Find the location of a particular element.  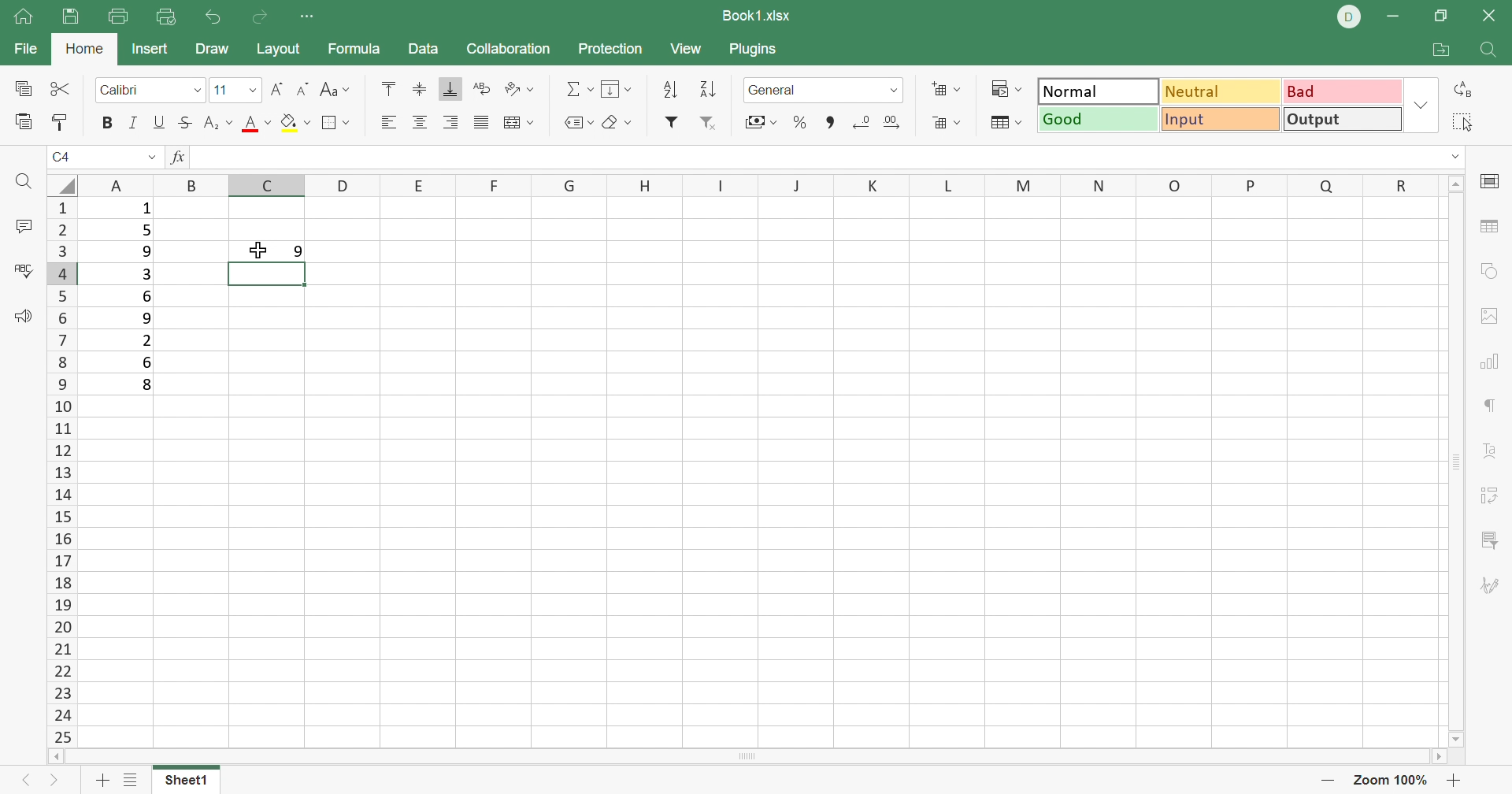

print is located at coordinates (120, 17).